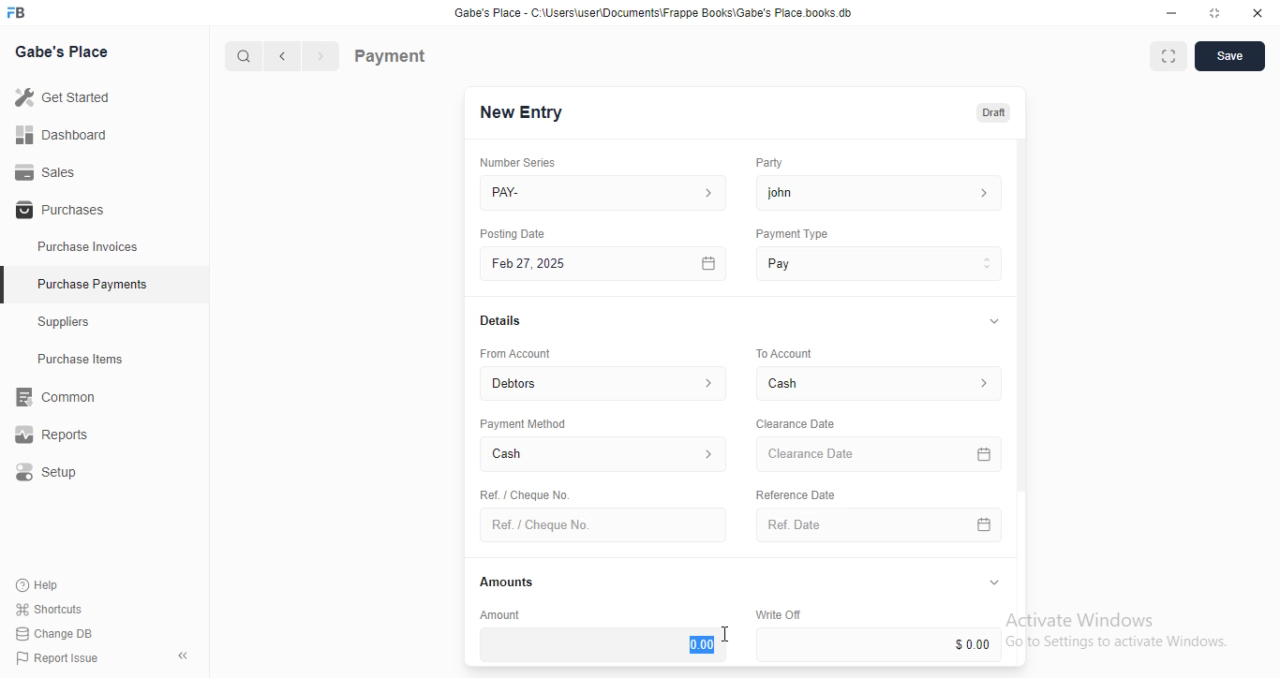 The height and width of the screenshot is (678, 1280). Describe the element at coordinates (794, 424) in the screenshot. I see `Clearance Date` at that location.